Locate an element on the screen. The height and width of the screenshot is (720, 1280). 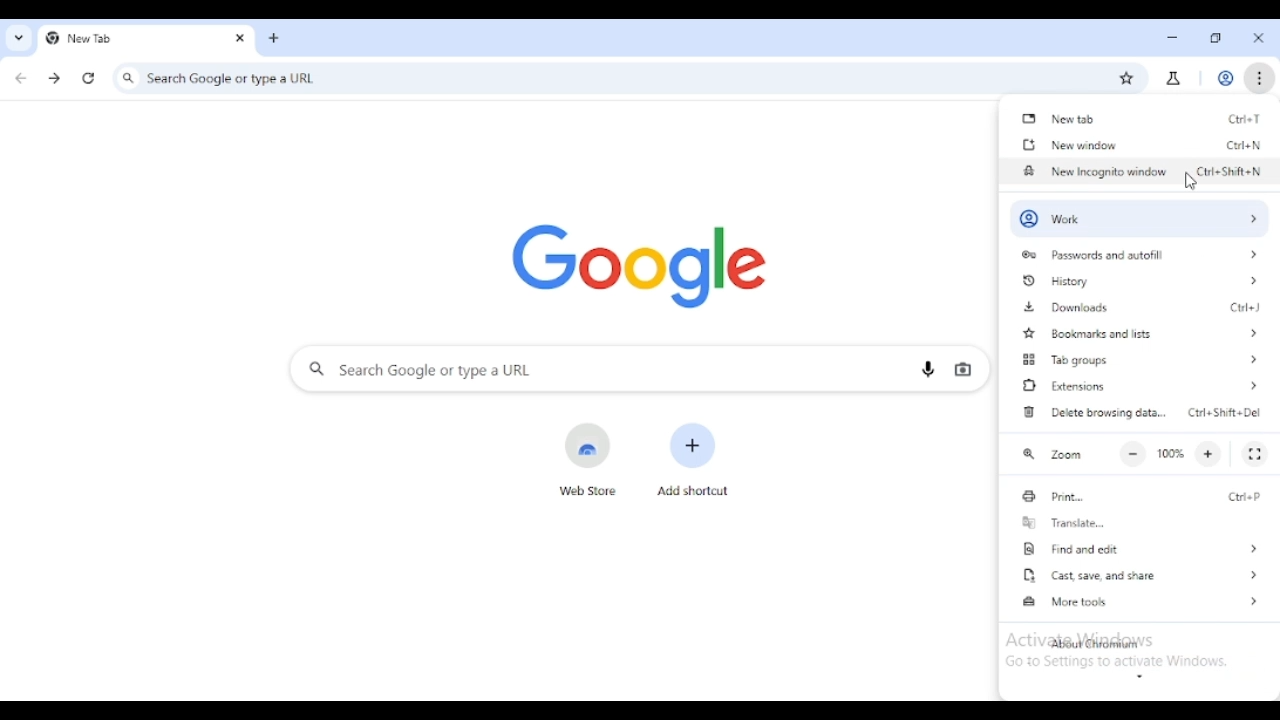
history is located at coordinates (1138, 281).